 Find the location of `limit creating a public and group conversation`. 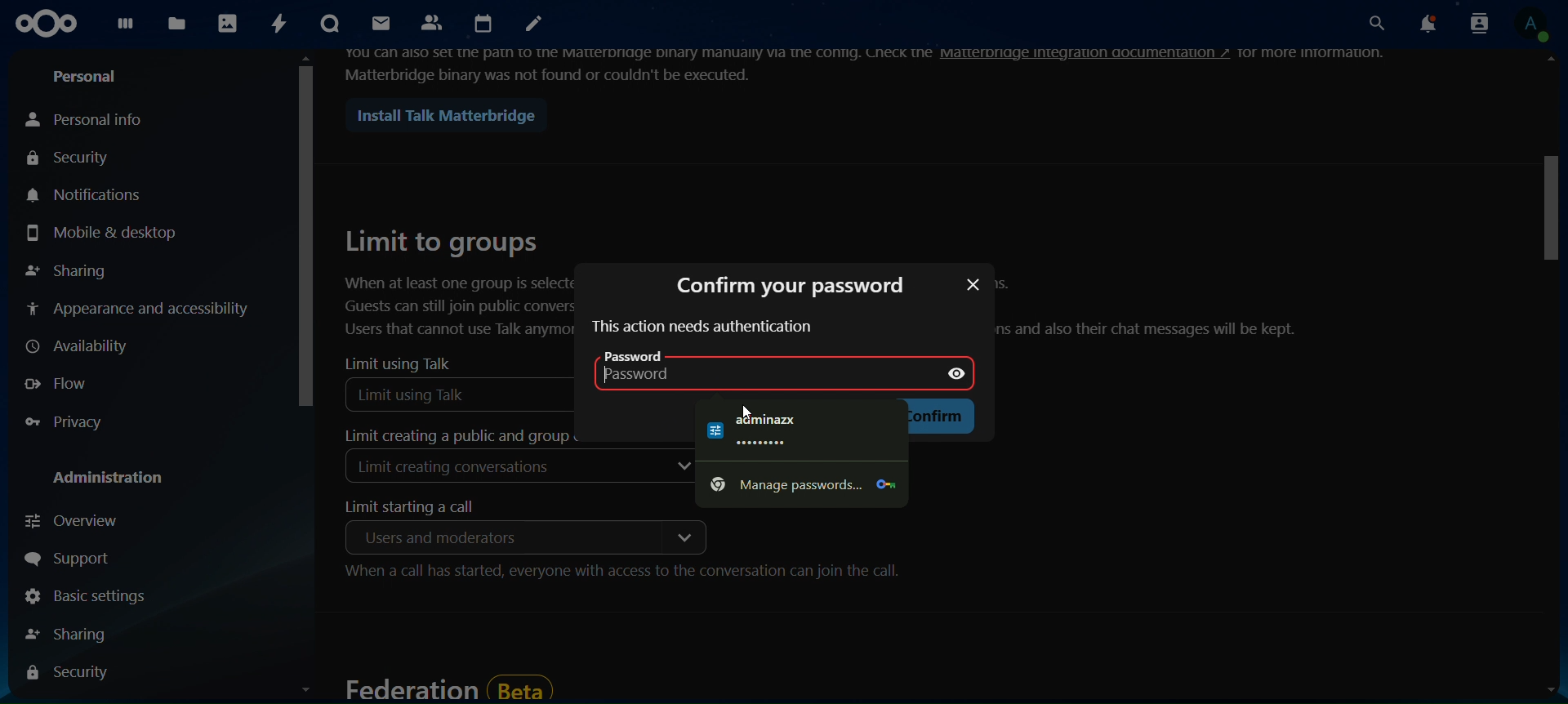

limit creating a public and group conversation is located at coordinates (450, 436).